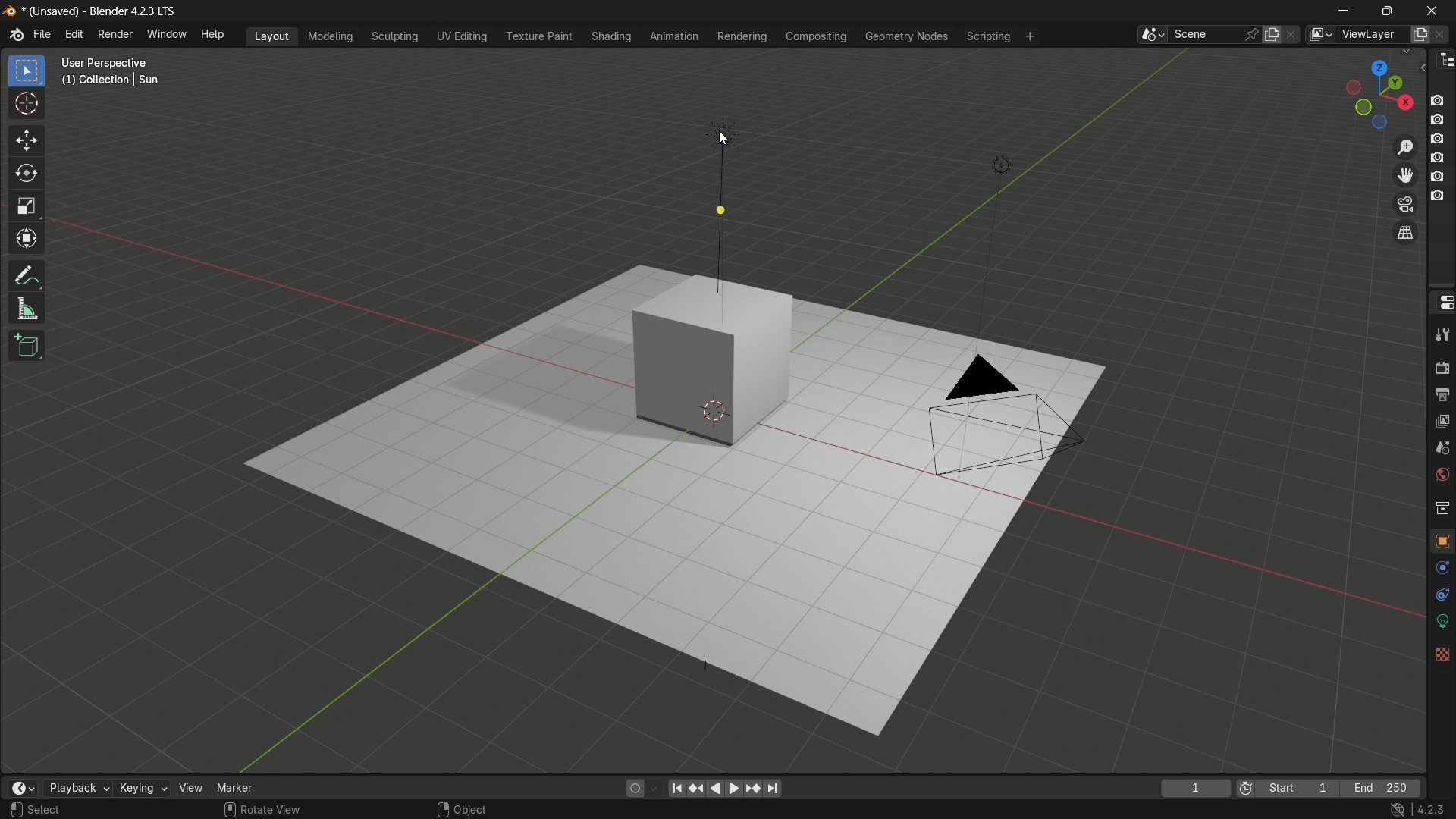 The height and width of the screenshot is (819, 1456). What do you see at coordinates (1299, 786) in the screenshot?
I see `start 1` at bounding box center [1299, 786].